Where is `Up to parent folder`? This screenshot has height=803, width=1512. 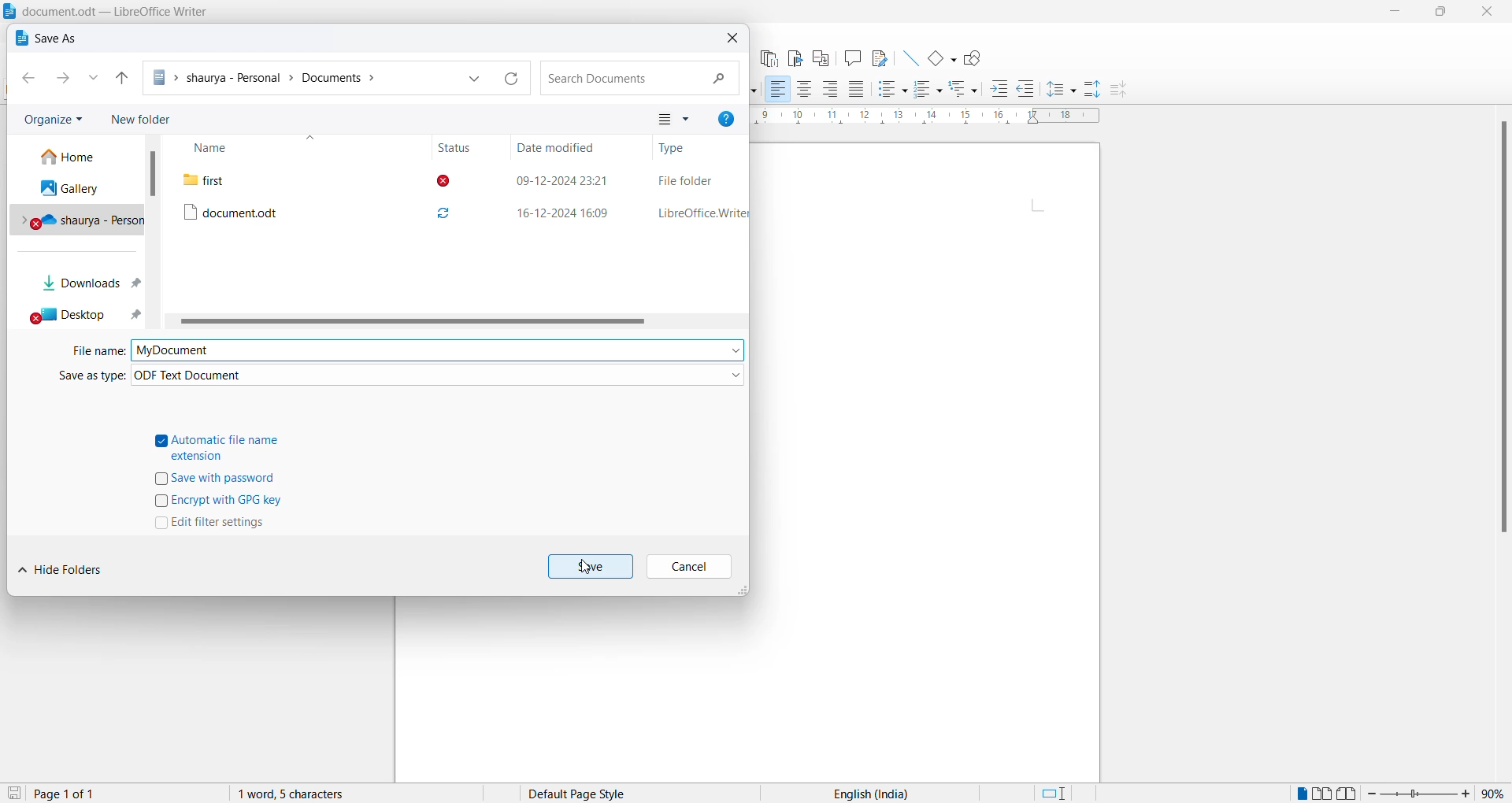
Up to parent folder is located at coordinates (120, 79).